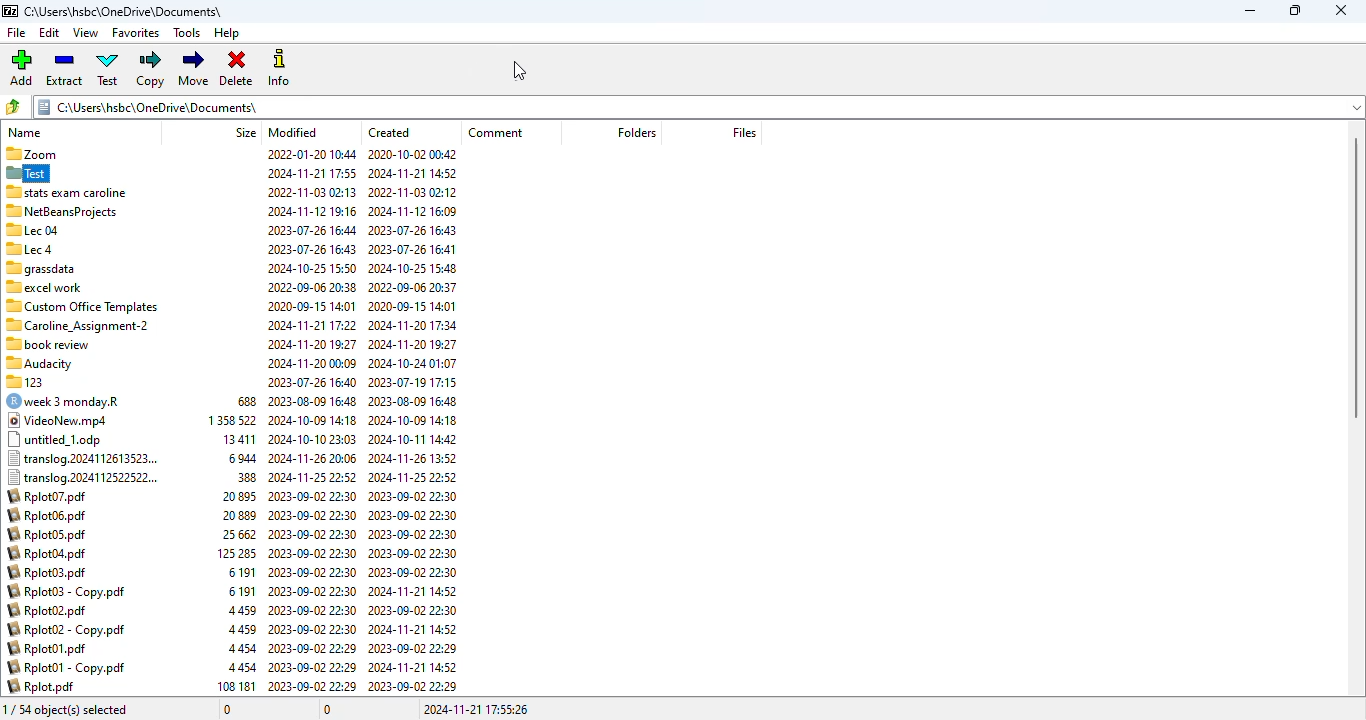  Describe the element at coordinates (67, 709) in the screenshot. I see `1/54 object(s) selected` at that location.